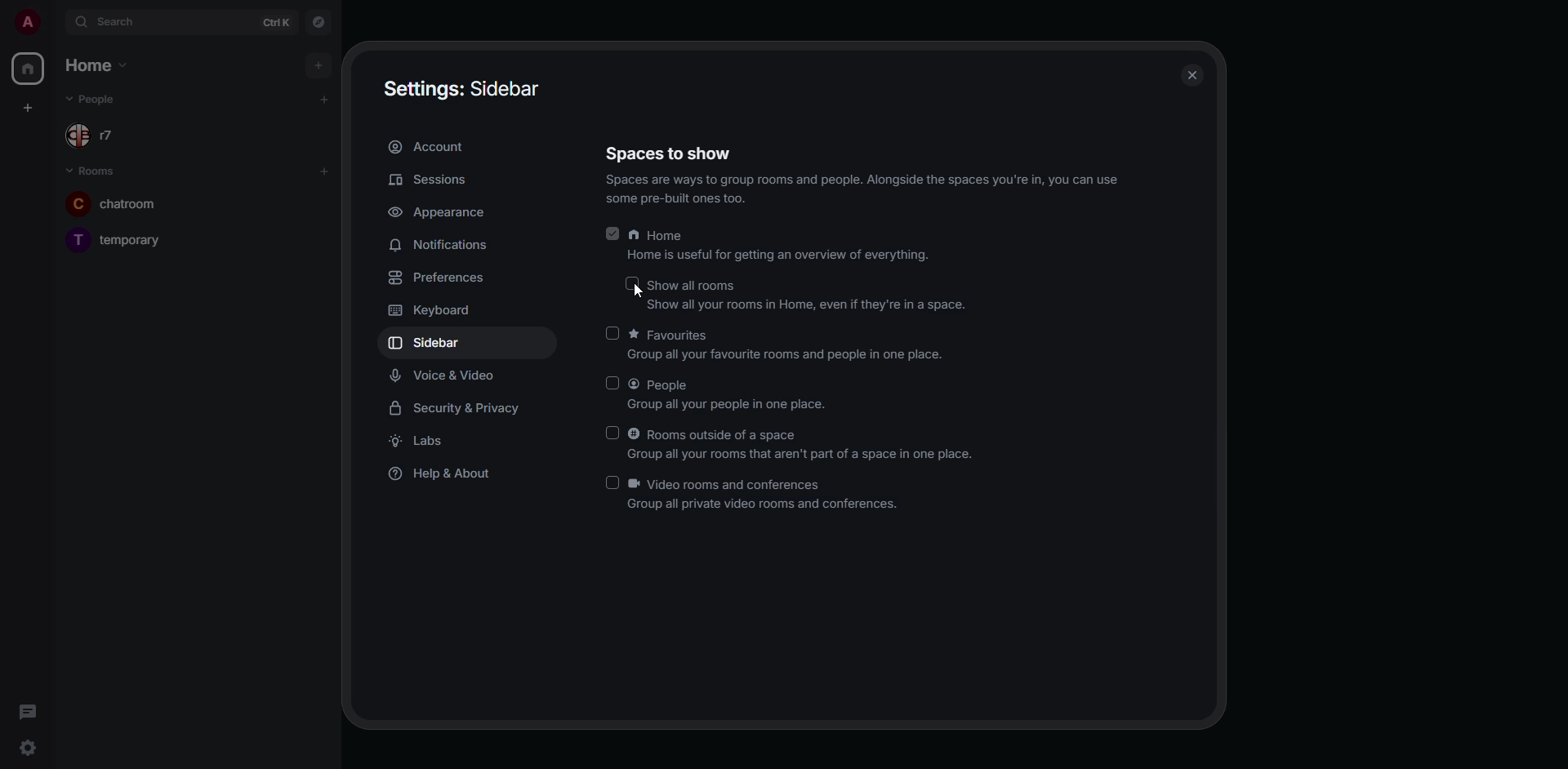  What do you see at coordinates (786, 247) in the screenshot?
I see `home` at bounding box center [786, 247].